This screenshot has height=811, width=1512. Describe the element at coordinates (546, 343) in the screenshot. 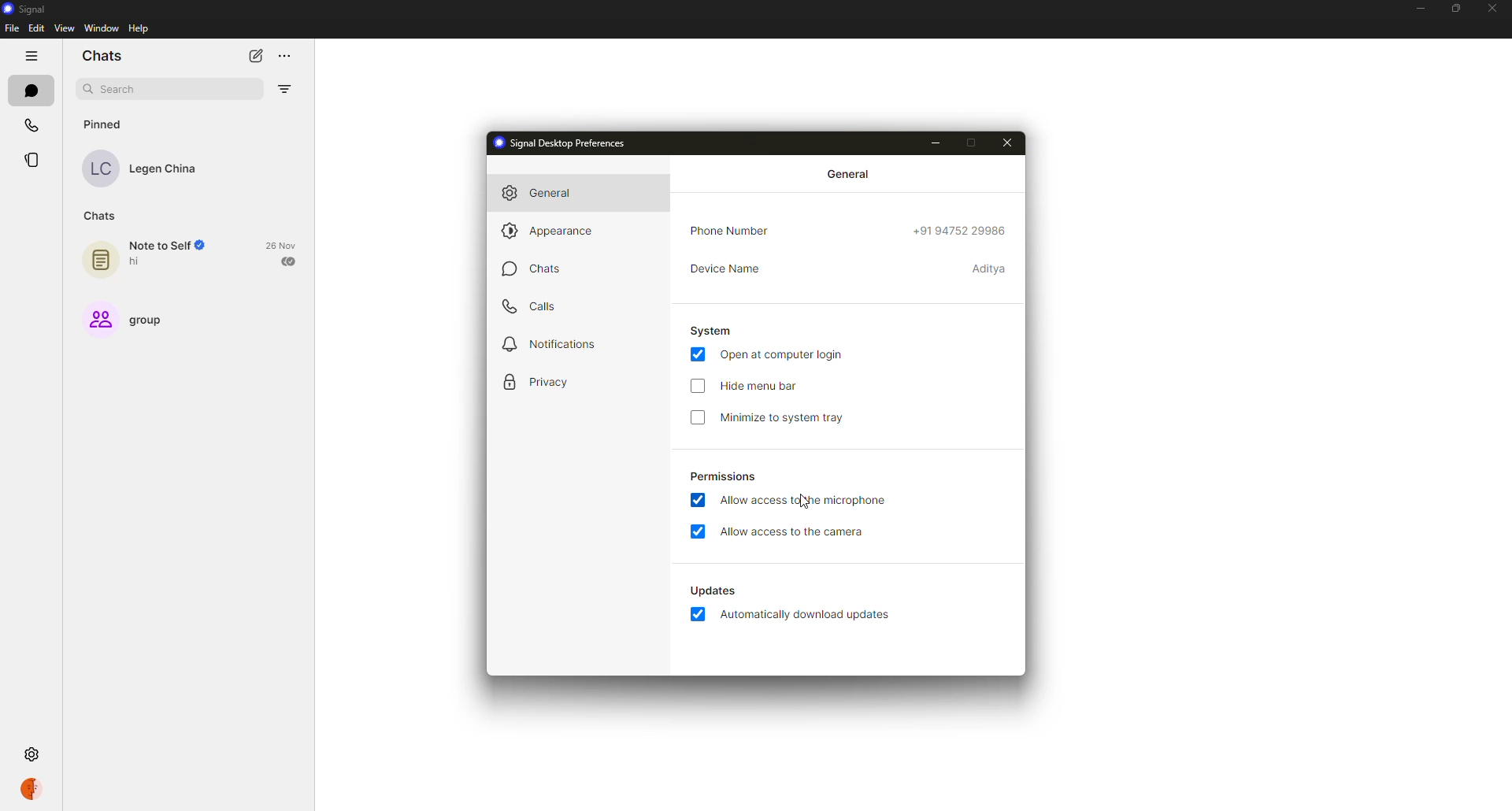

I see `notifications` at that location.